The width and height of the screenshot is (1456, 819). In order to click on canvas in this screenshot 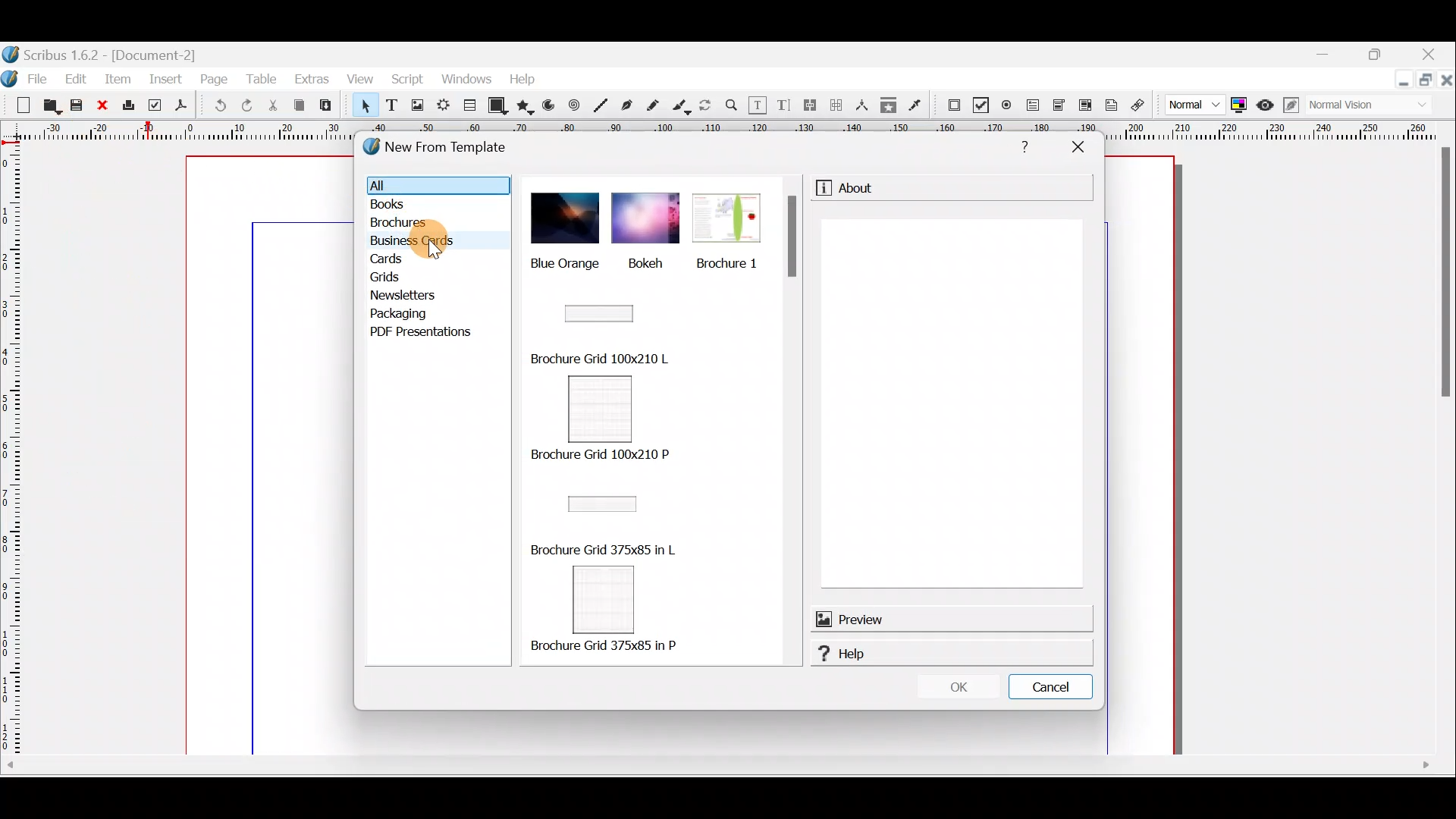, I will do `click(1143, 456)`.